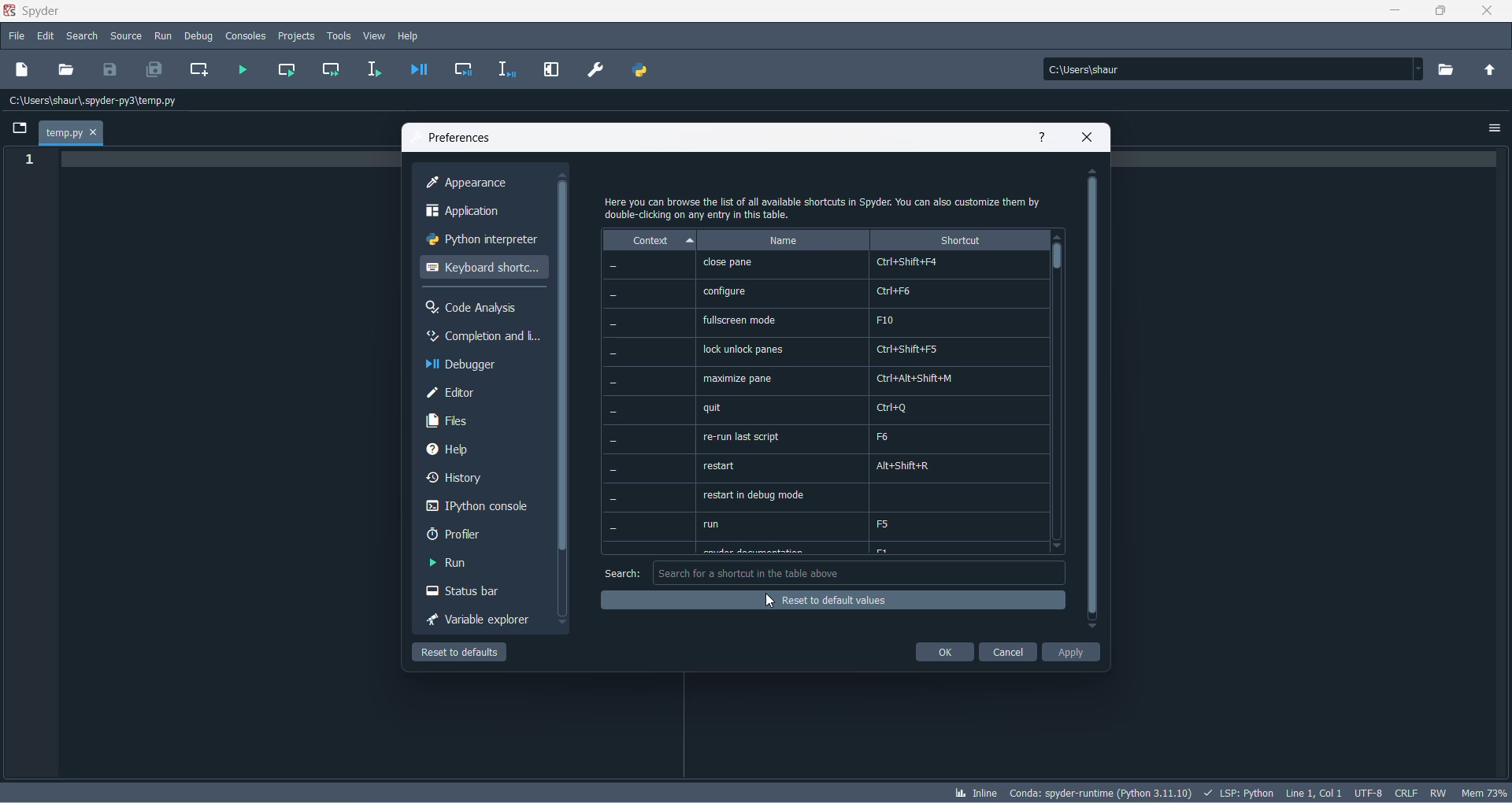 The height and width of the screenshot is (803, 1512). Describe the element at coordinates (821, 209) in the screenshot. I see `text` at that location.